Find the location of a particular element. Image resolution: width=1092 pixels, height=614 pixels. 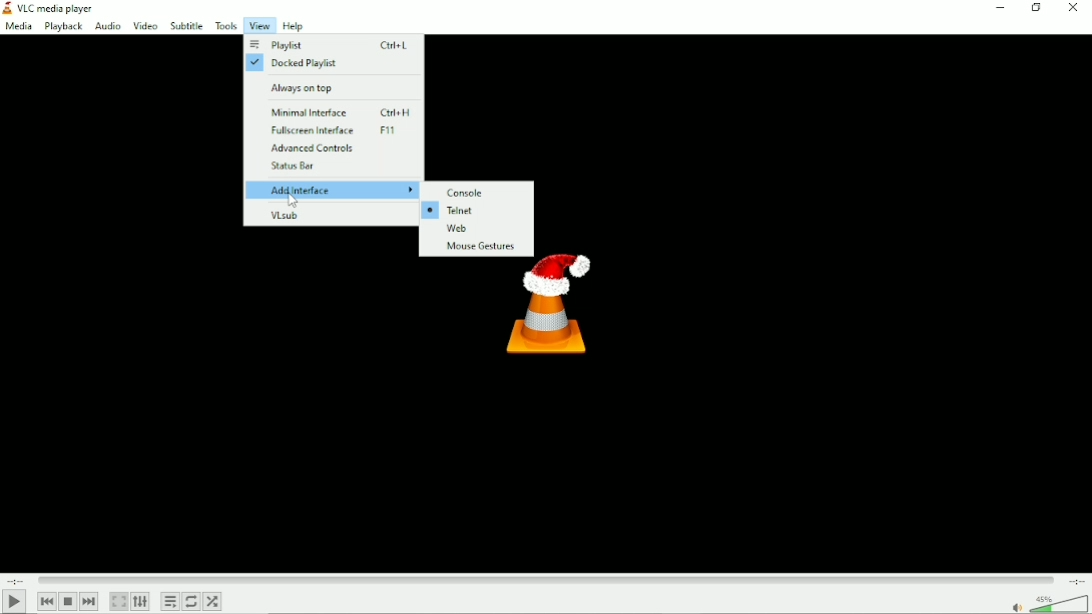

Advanced controls is located at coordinates (314, 148).